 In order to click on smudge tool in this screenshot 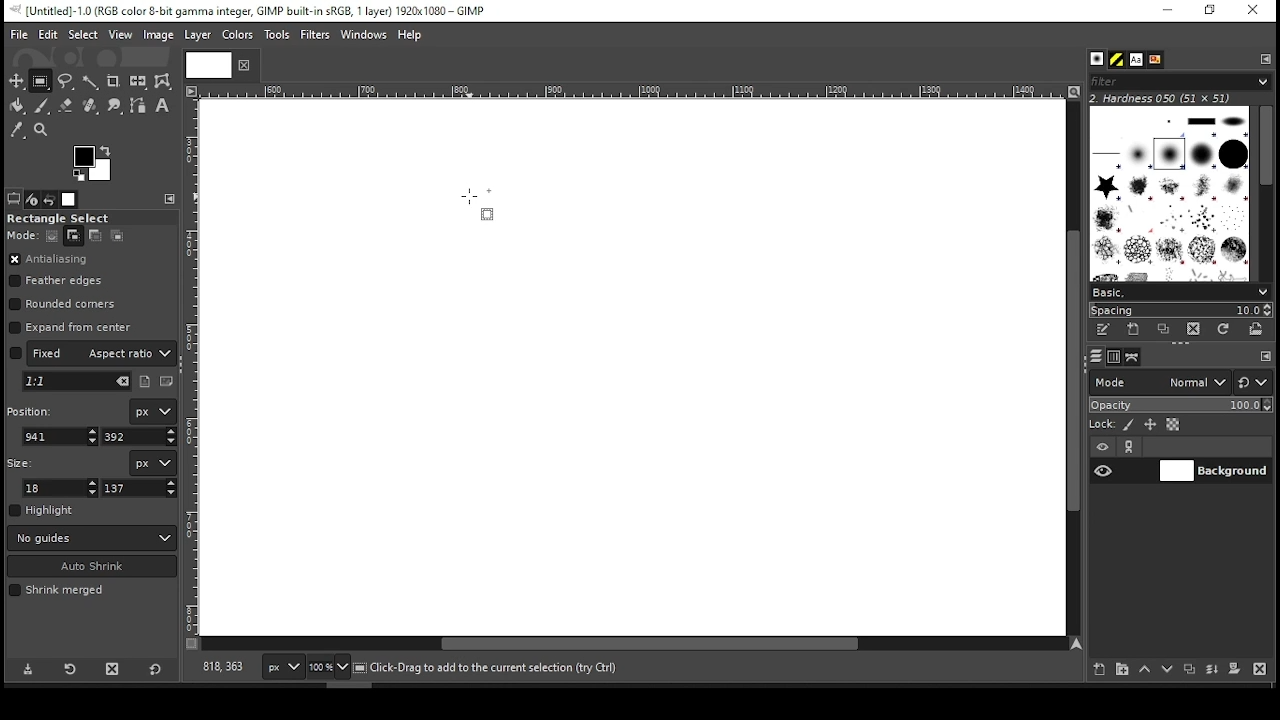, I will do `click(116, 106)`.